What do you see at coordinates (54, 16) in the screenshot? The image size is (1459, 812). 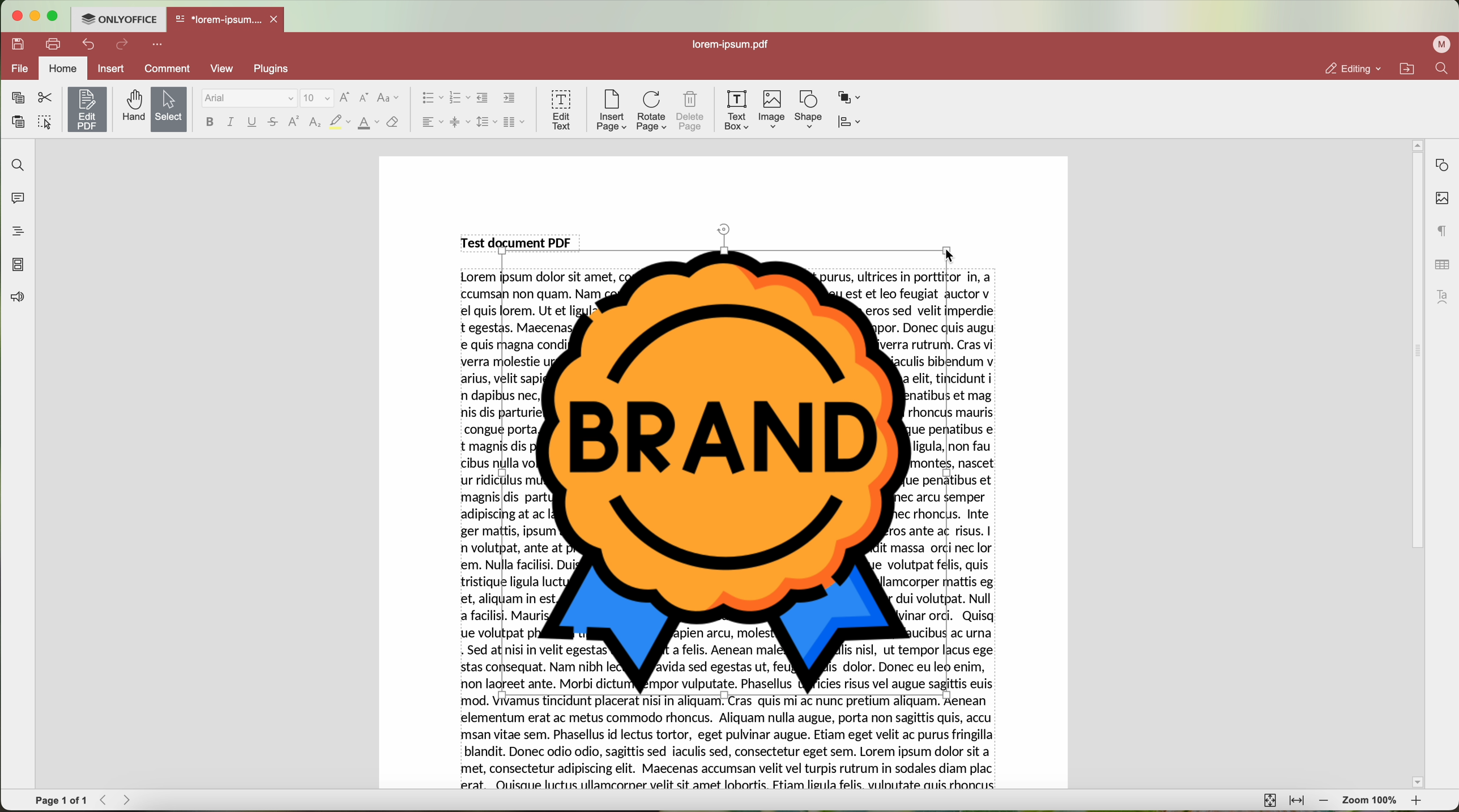 I see `maximize` at bounding box center [54, 16].